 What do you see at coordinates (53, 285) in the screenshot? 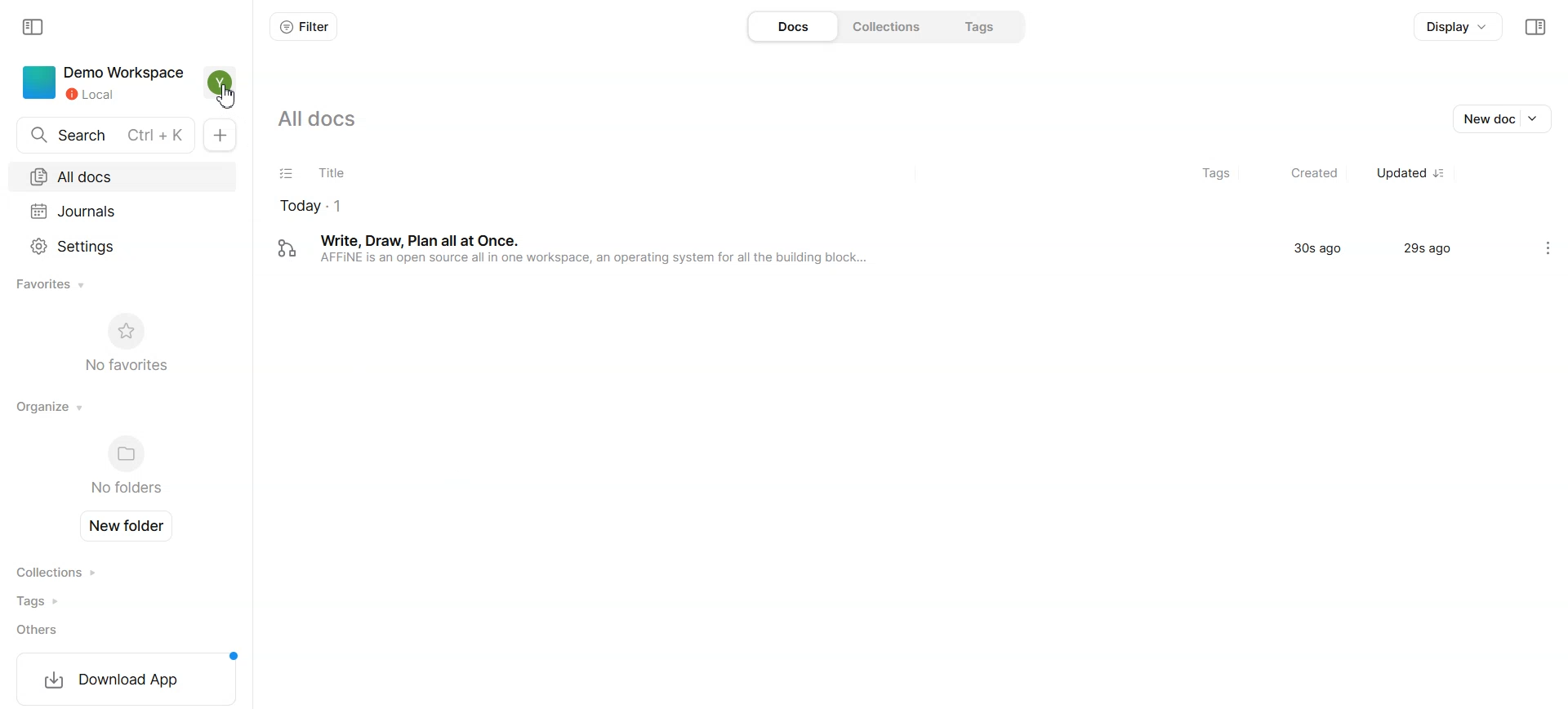
I see `Favorites` at bounding box center [53, 285].